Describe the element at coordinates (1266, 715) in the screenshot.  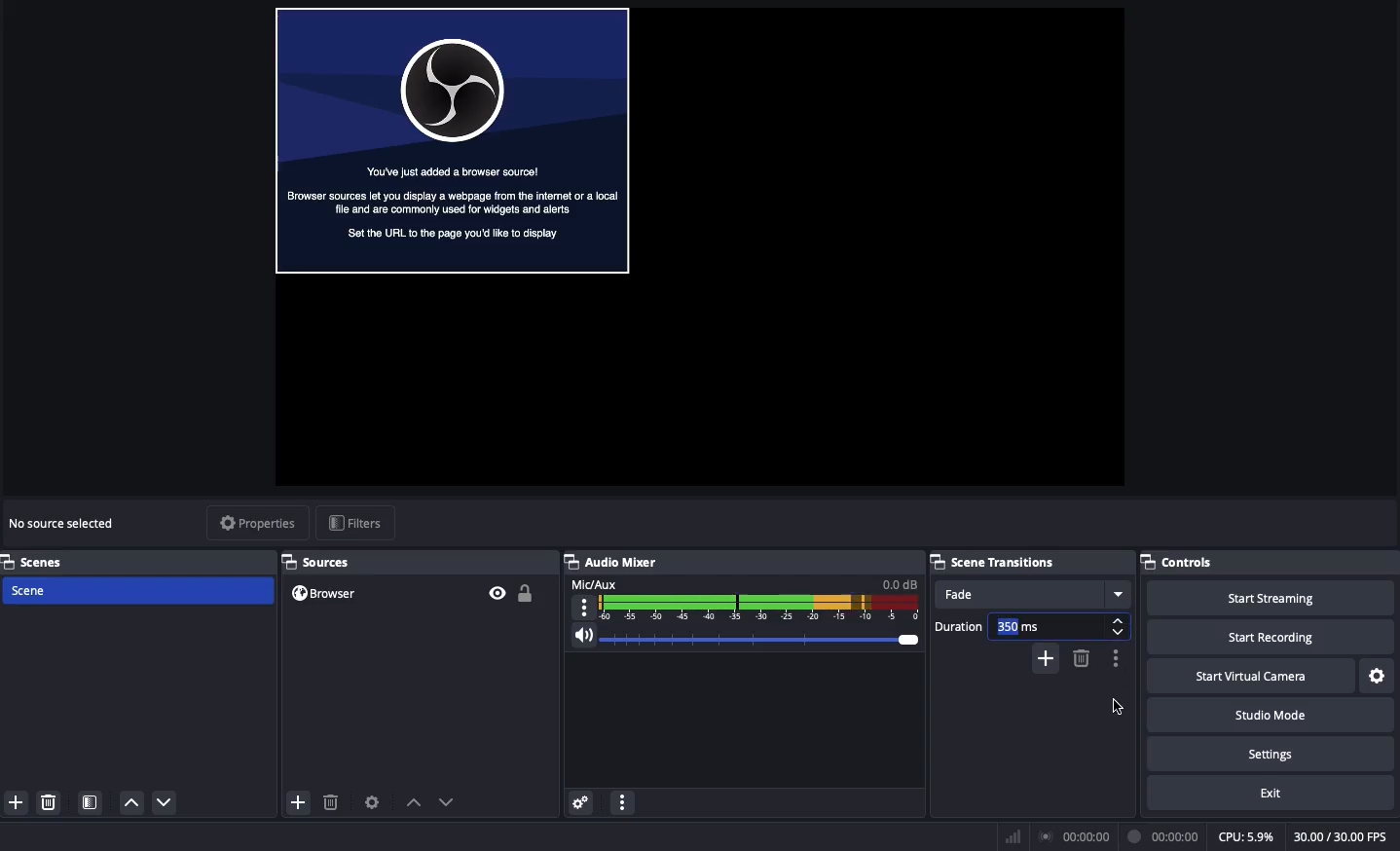
I see `Studio mode` at that location.